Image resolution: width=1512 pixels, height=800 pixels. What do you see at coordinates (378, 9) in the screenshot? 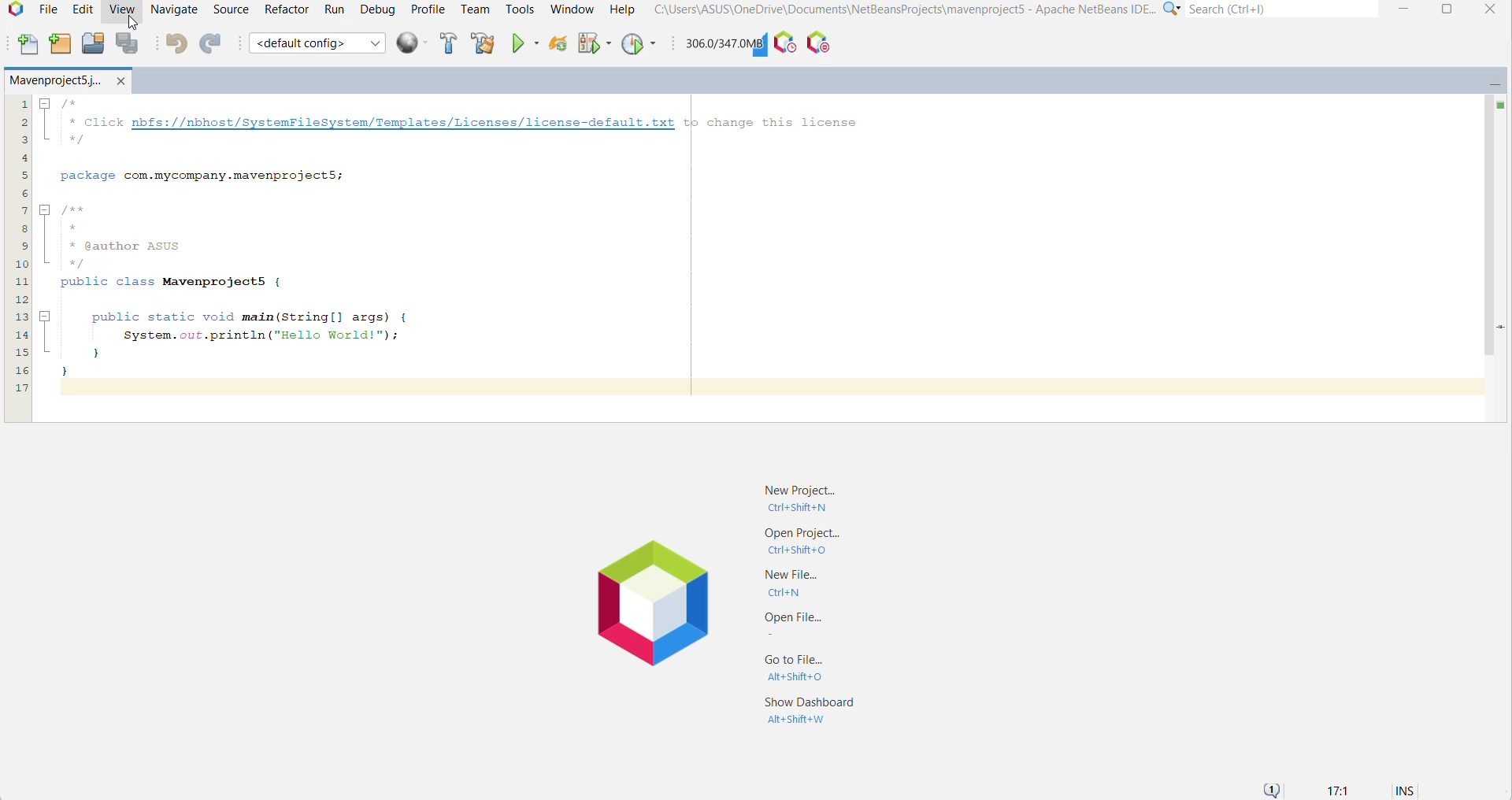
I see `Debug` at bounding box center [378, 9].